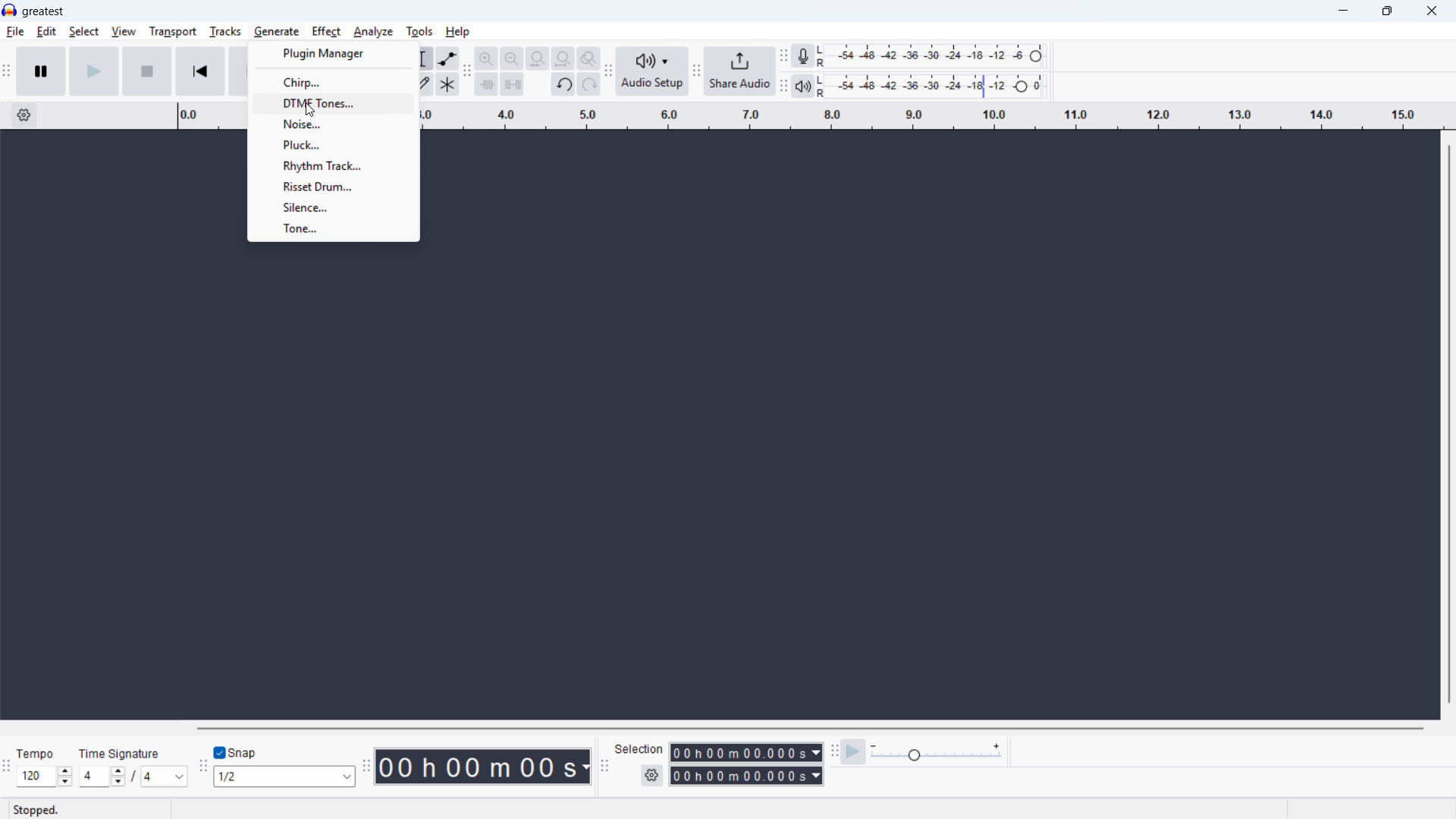  Describe the element at coordinates (334, 82) in the screenshot. I see `Chirp ` at that location.